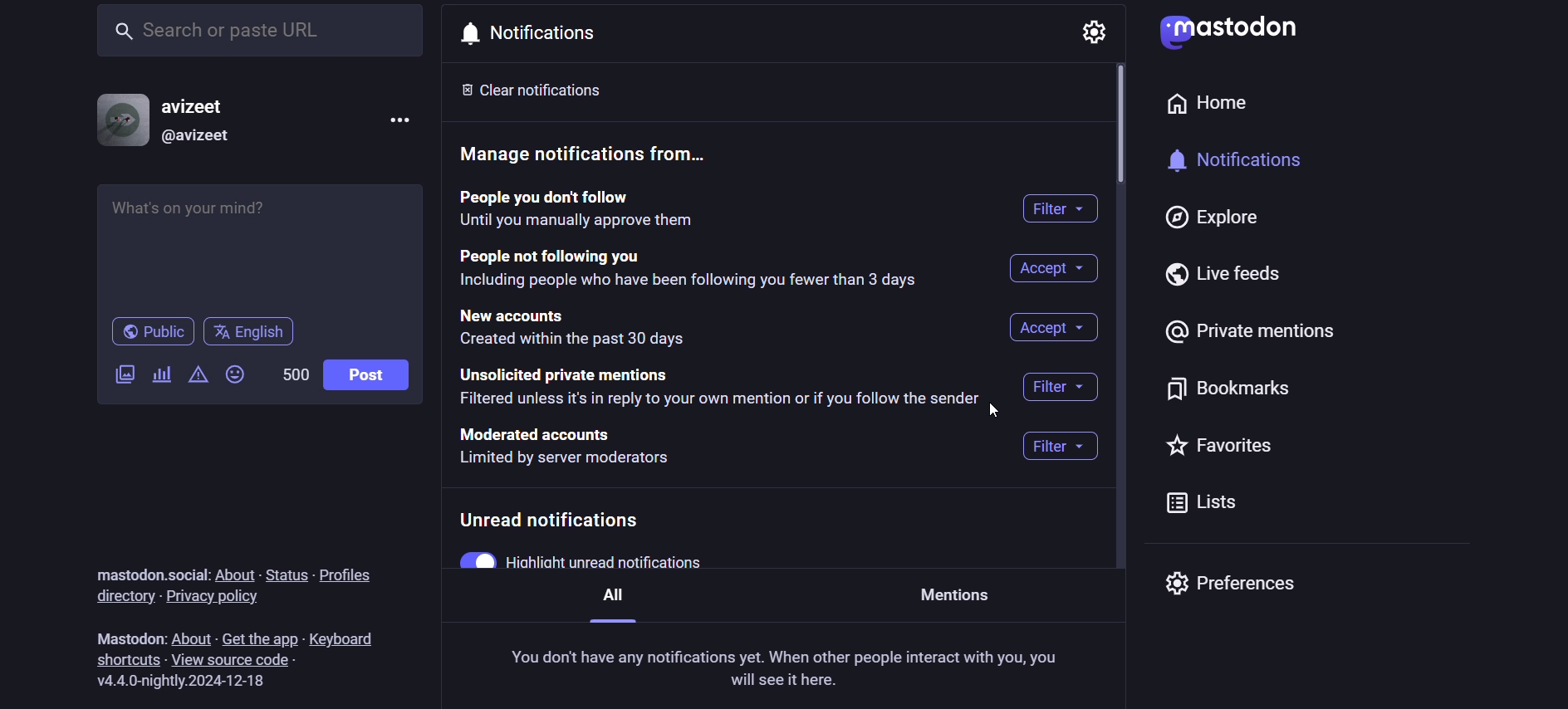  What do you see at coordinates (152, 332) in the screenshot?
I see `Public` at bounding box center [152, 332].